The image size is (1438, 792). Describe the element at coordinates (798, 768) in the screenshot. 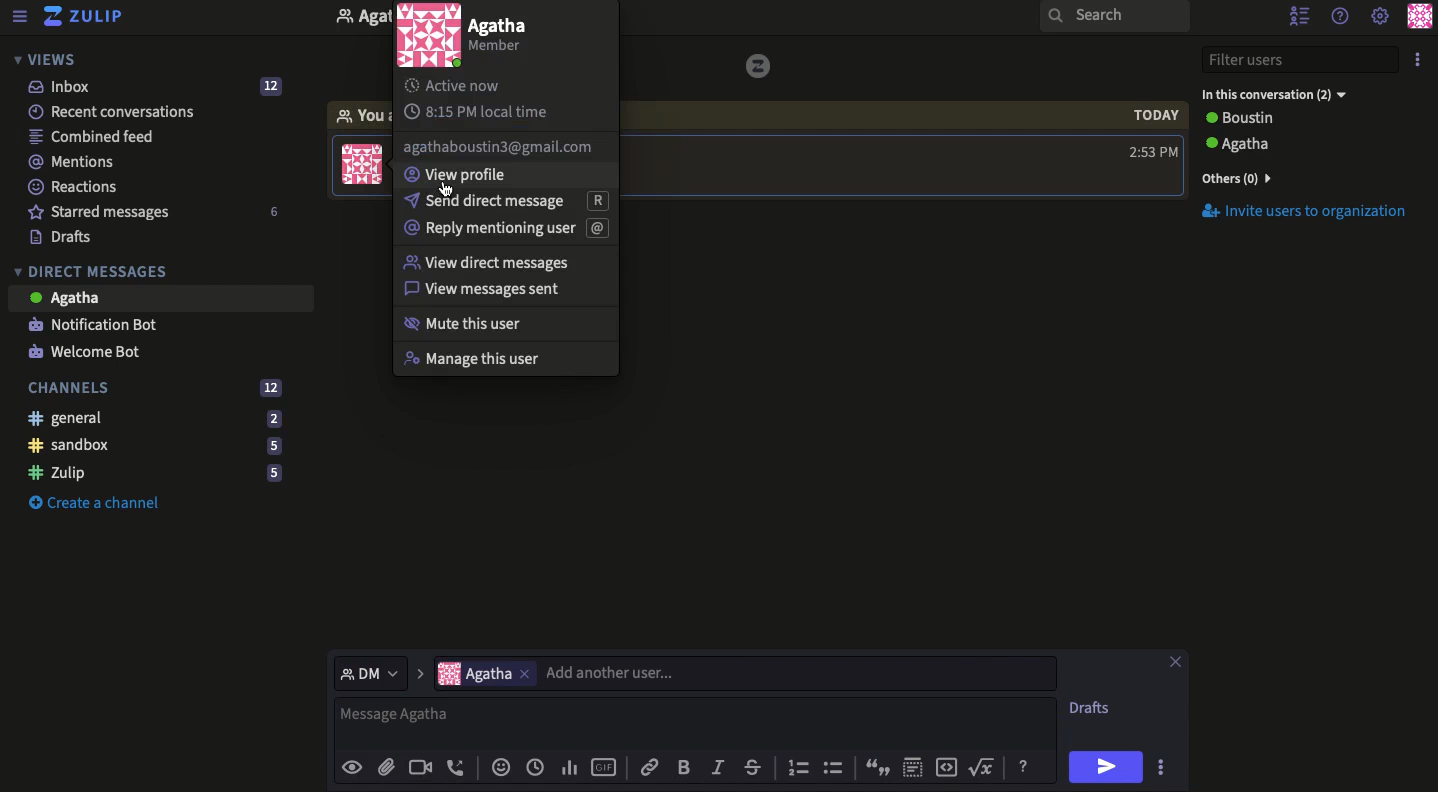

I see `Number bullet` at that location.